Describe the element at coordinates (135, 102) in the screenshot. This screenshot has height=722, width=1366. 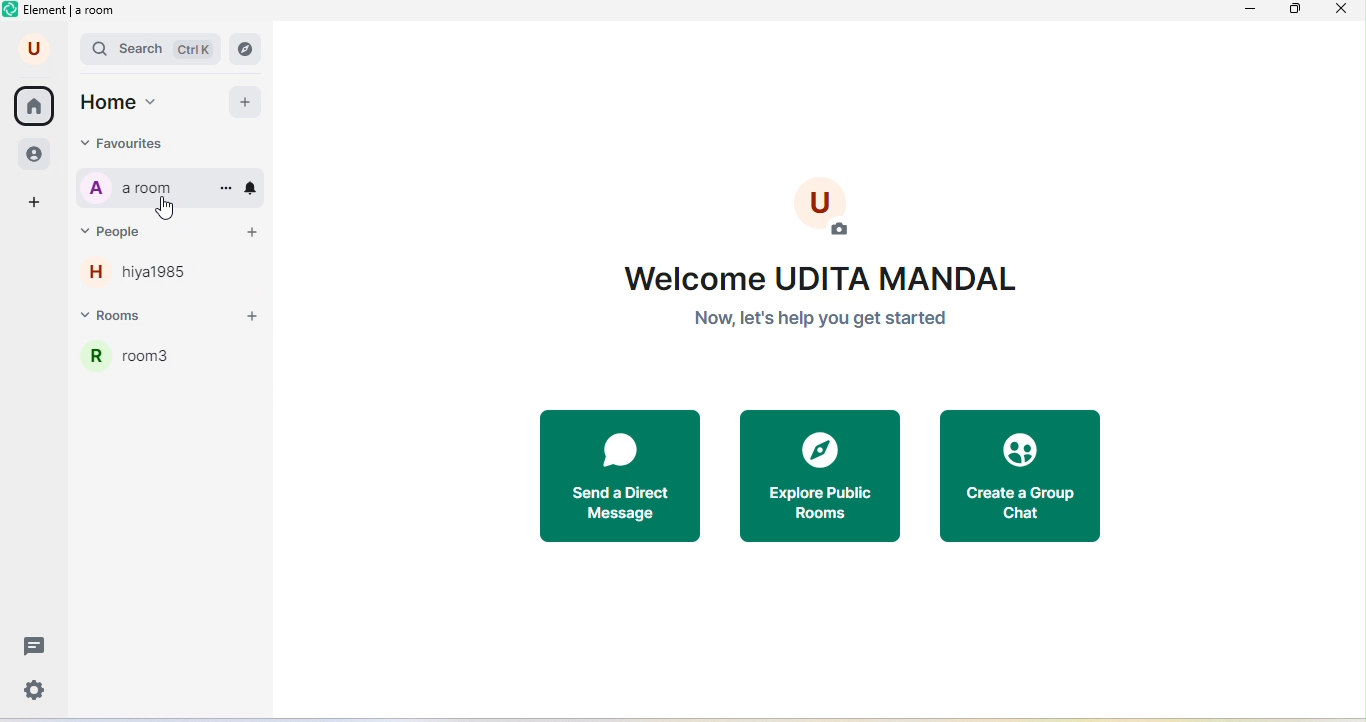
I see `home` at that location.